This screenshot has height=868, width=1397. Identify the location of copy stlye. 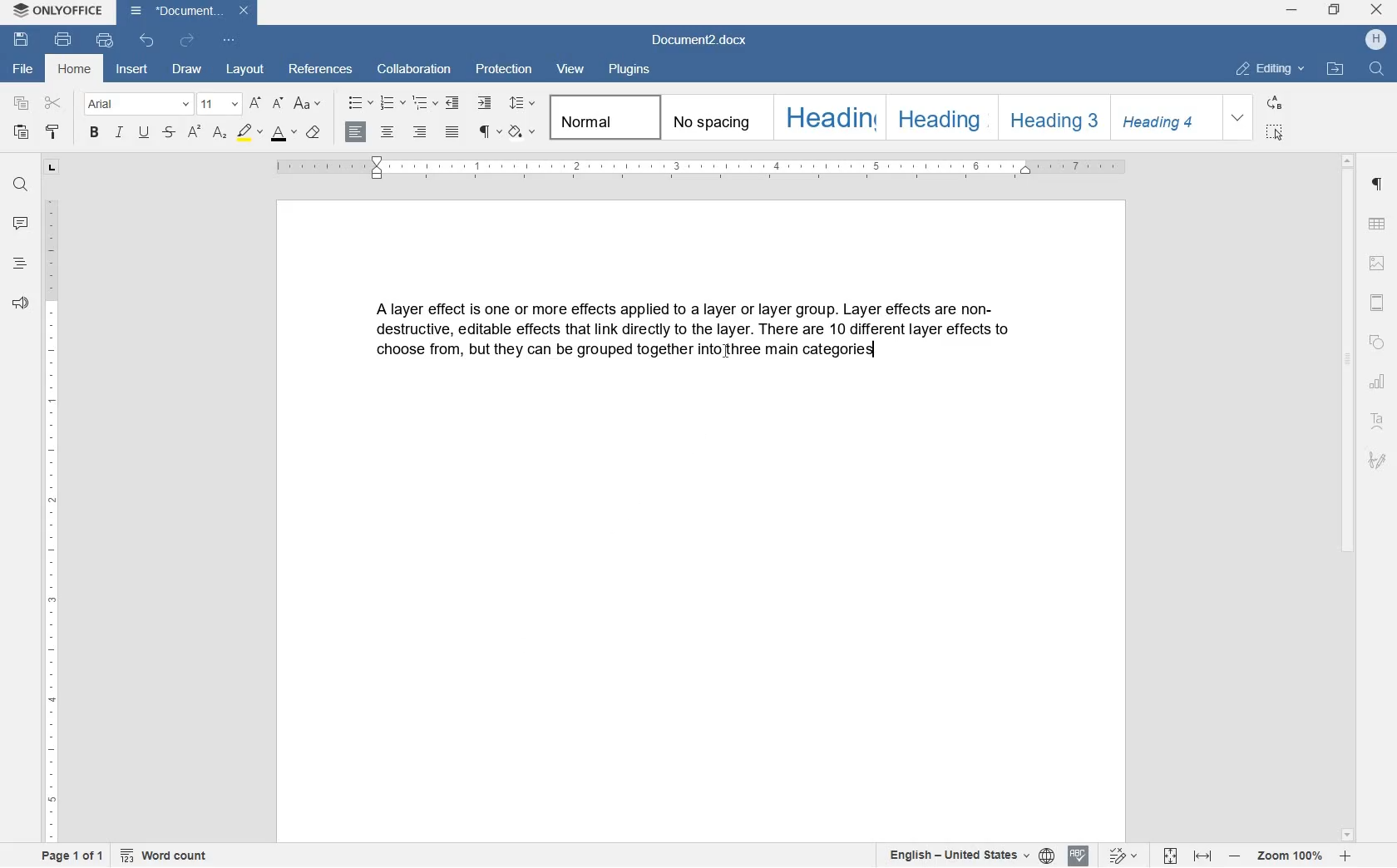
(52, 133).